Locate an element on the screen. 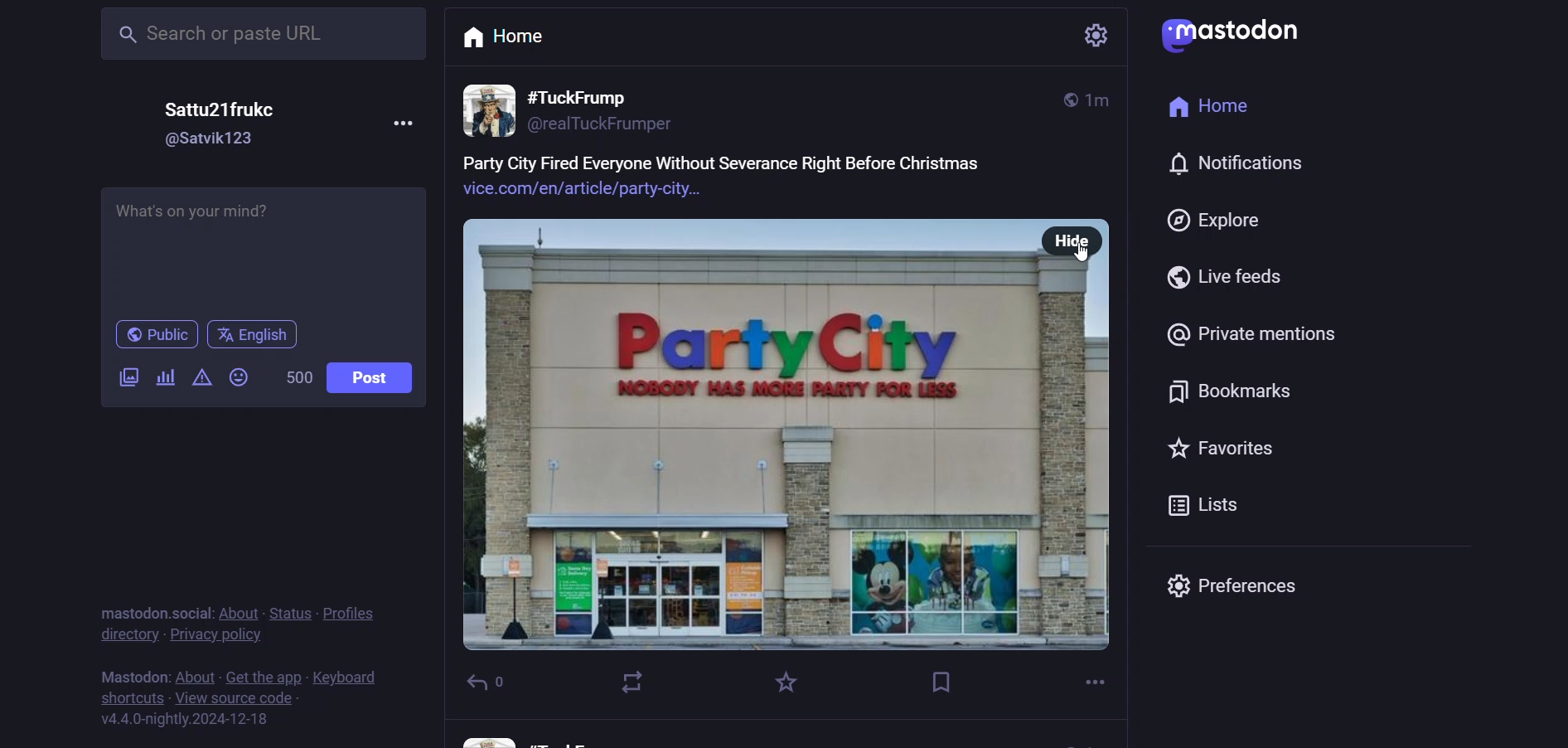  status is located at coordinates (289, 610).